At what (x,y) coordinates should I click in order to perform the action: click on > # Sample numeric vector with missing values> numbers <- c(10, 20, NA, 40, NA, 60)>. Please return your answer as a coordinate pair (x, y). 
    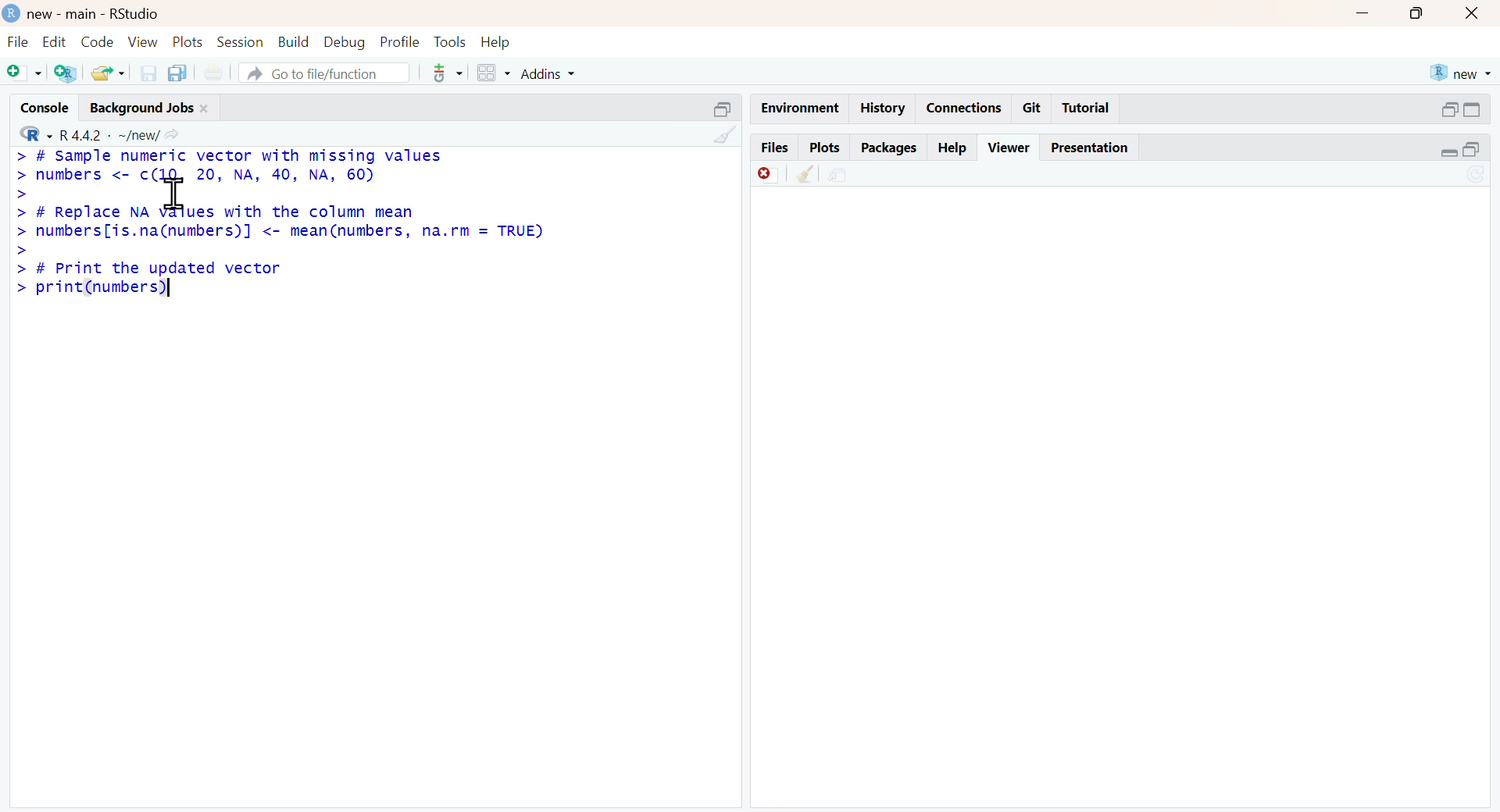
    Looking at the image, I should click on (229, 175).